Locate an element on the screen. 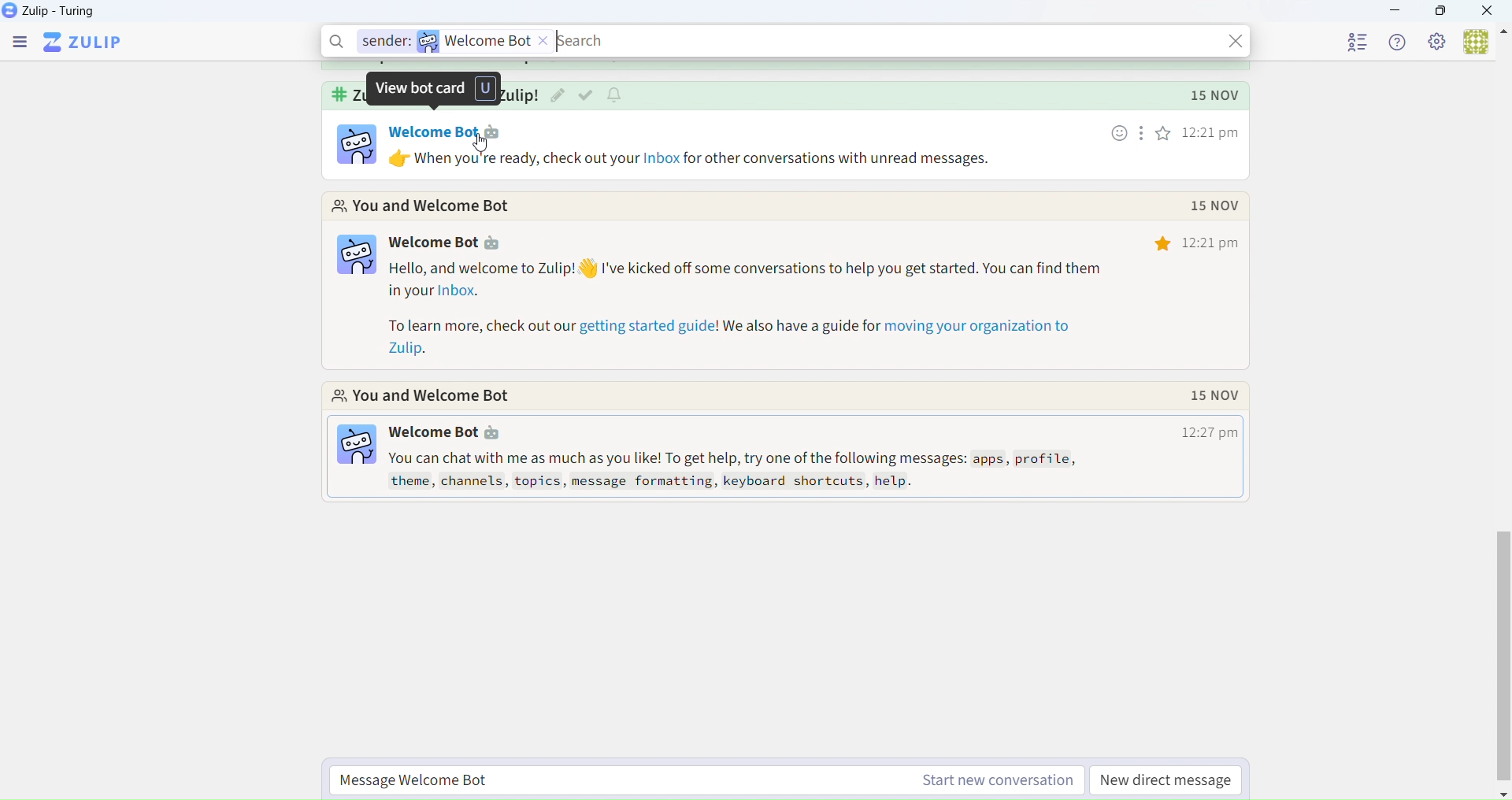 The height and width of the screenshot is (800, 1512).  Welcome Bot, is located at coordinates (433, 131).